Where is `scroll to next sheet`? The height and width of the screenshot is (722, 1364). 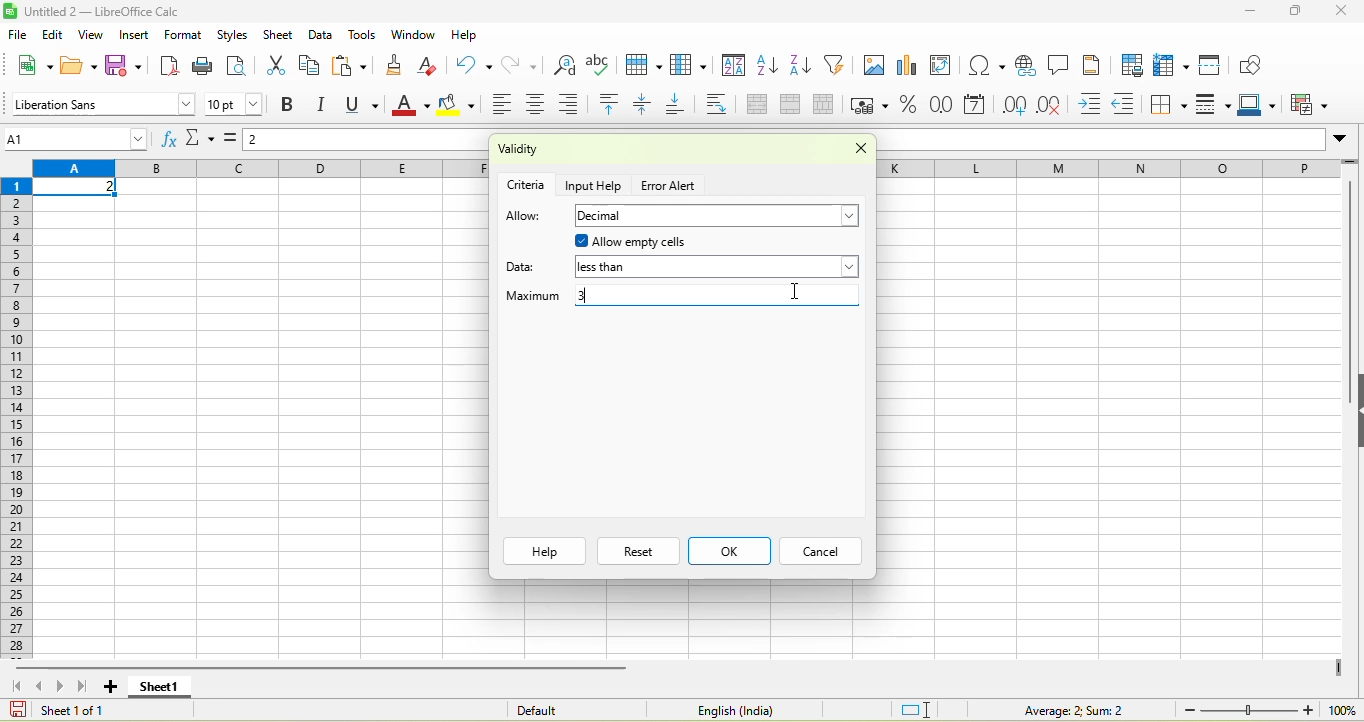 scroll to next sheet is located at coordinates (63, 687).